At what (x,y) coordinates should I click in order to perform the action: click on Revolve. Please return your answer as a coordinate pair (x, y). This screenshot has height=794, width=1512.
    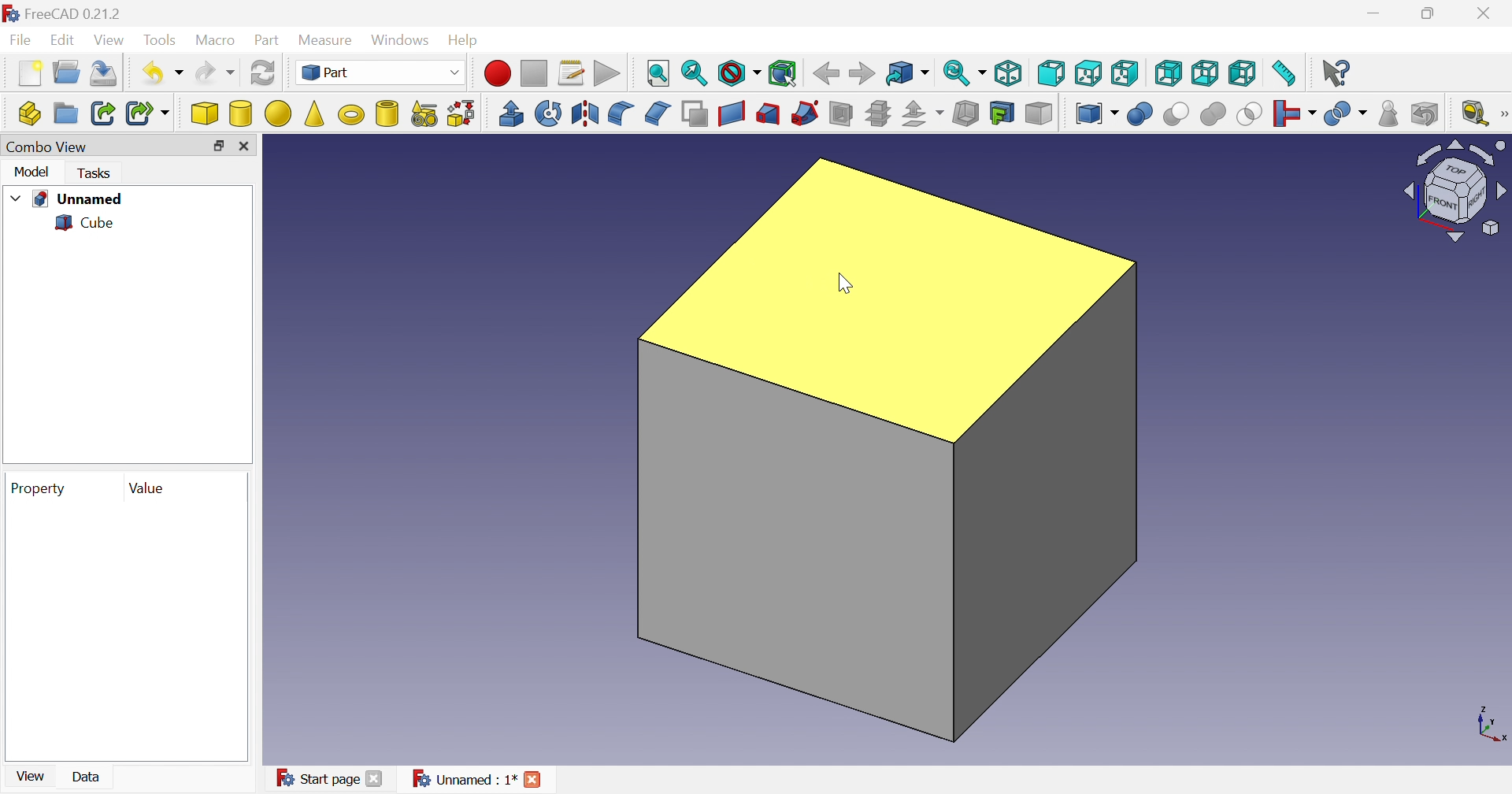
    Looking at the image, I should click on (550, 113).